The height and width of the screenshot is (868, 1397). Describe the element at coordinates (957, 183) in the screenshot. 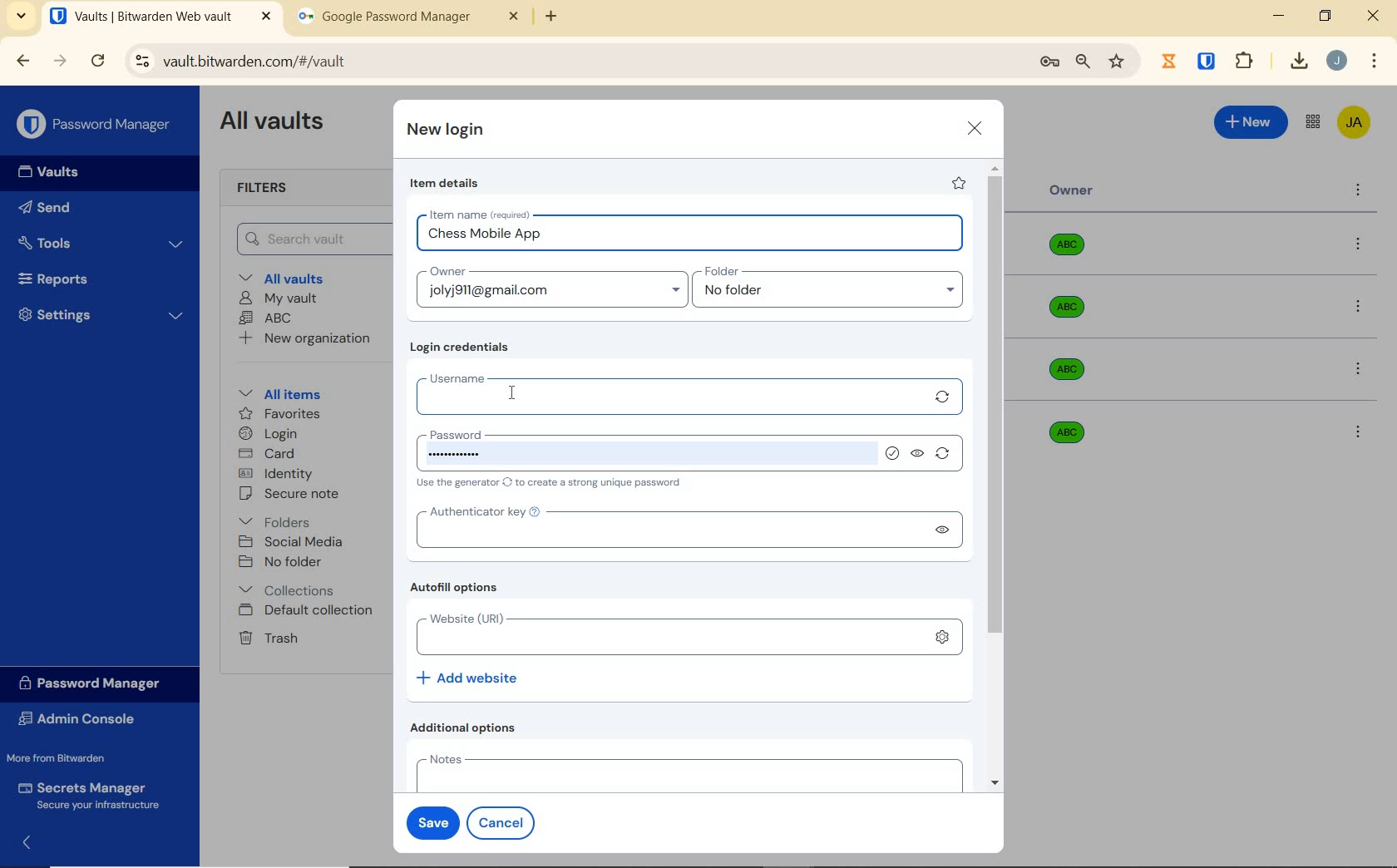

I see `favorite` at that location.